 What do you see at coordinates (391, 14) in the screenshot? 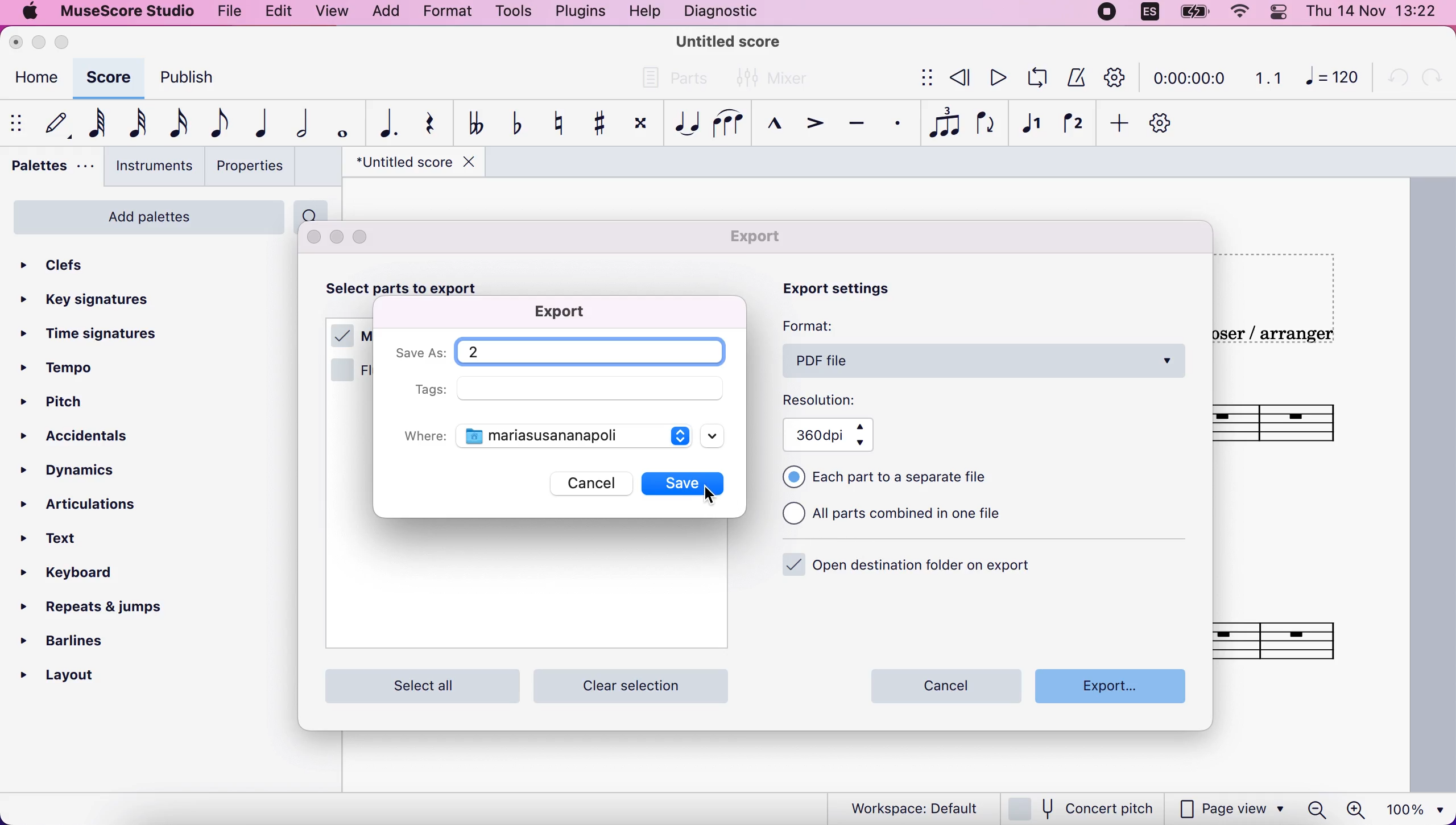
I see `add` at bounding box center [391, 14].